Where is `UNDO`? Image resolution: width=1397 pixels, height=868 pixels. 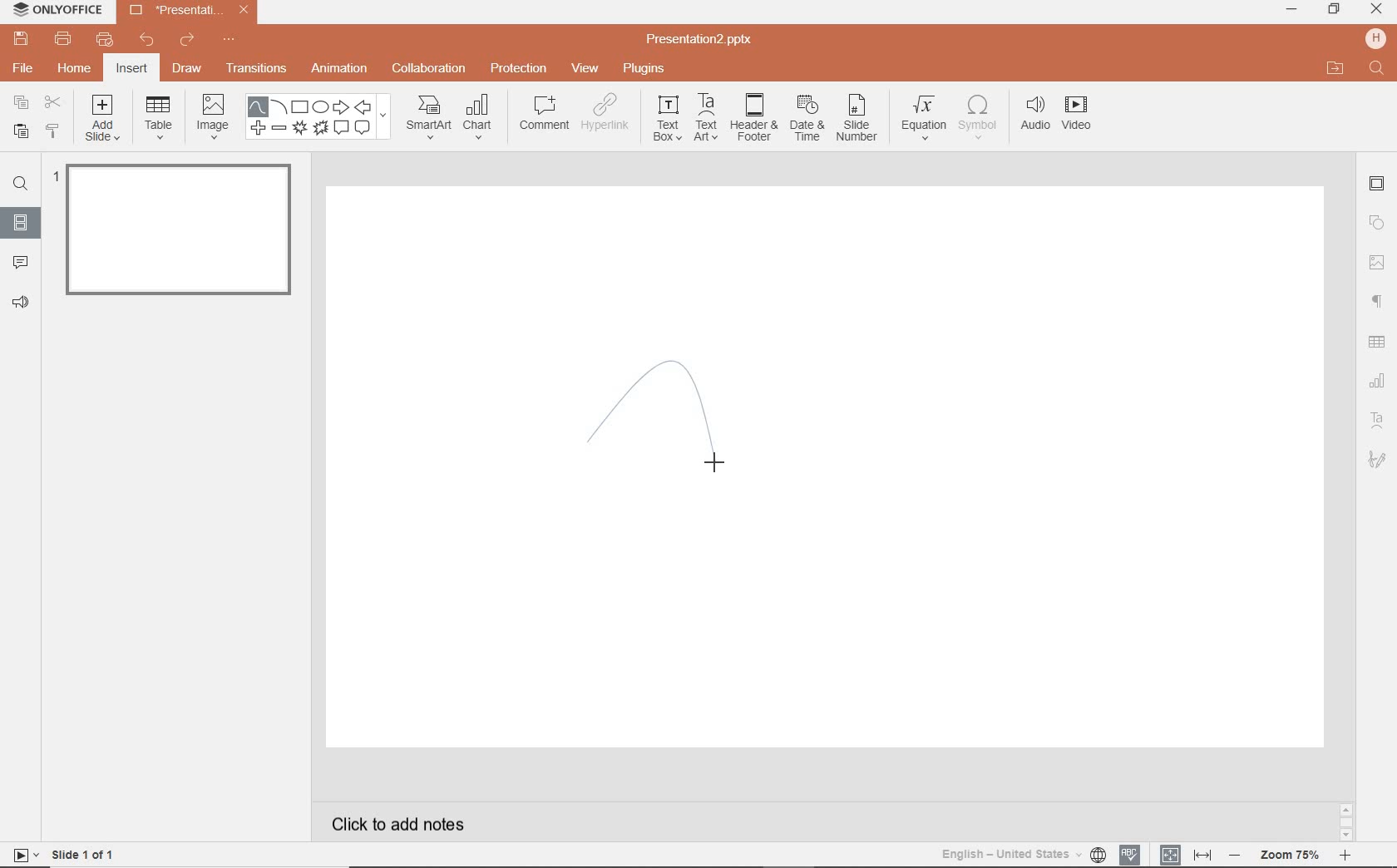
UNDO is located at coordinates (146, 42).